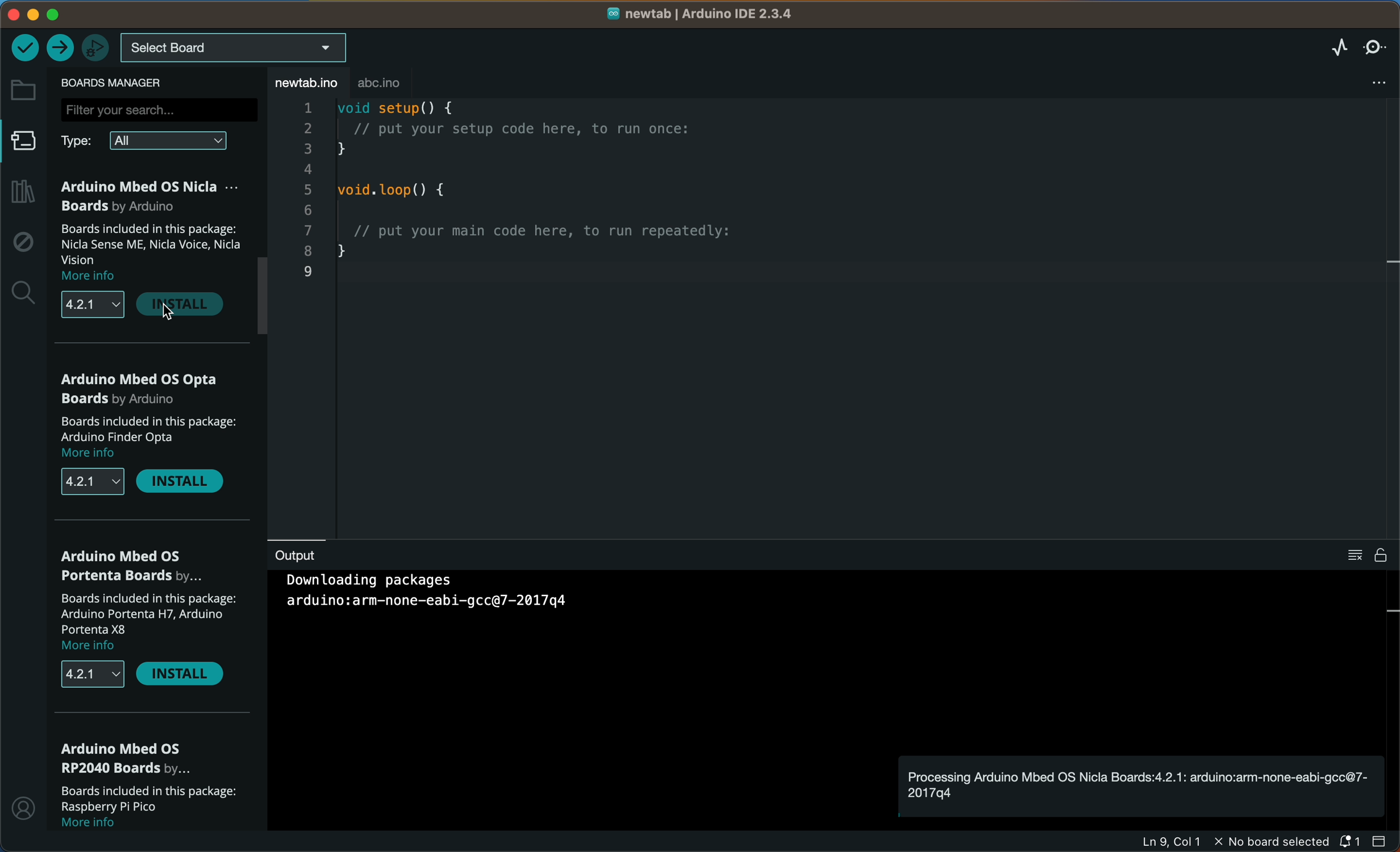 The width and height of the screenshot is (1400, 852). What do you see at coordinates (182, 675) in the screenshot?
I see `install` at bounding box center [182, 675].